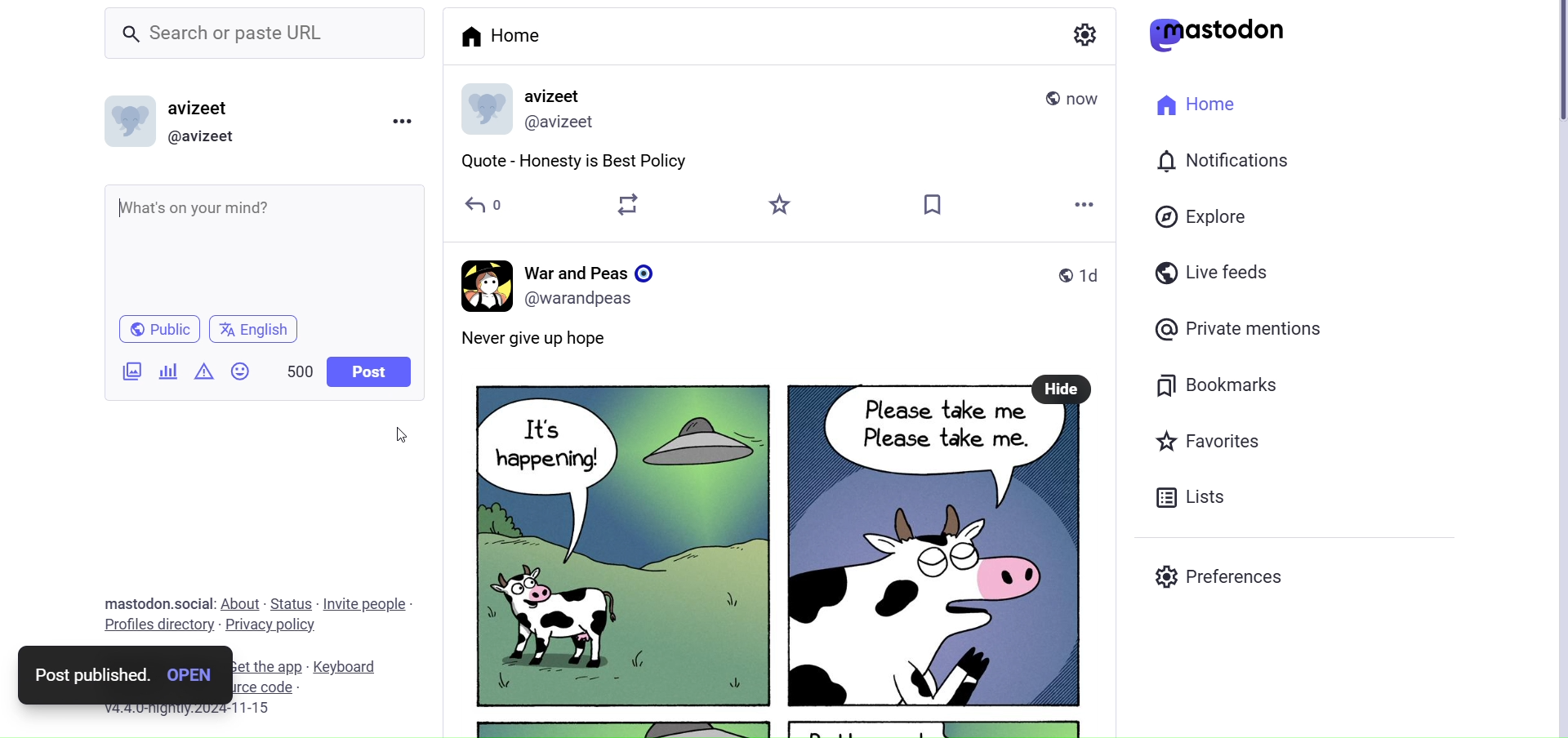 Image resolution: width=1568 pixels, height=738 pixels. What do you see at coordinates (255, 331) in the screenshot?
I see `english` at bounding box center [255, 331].